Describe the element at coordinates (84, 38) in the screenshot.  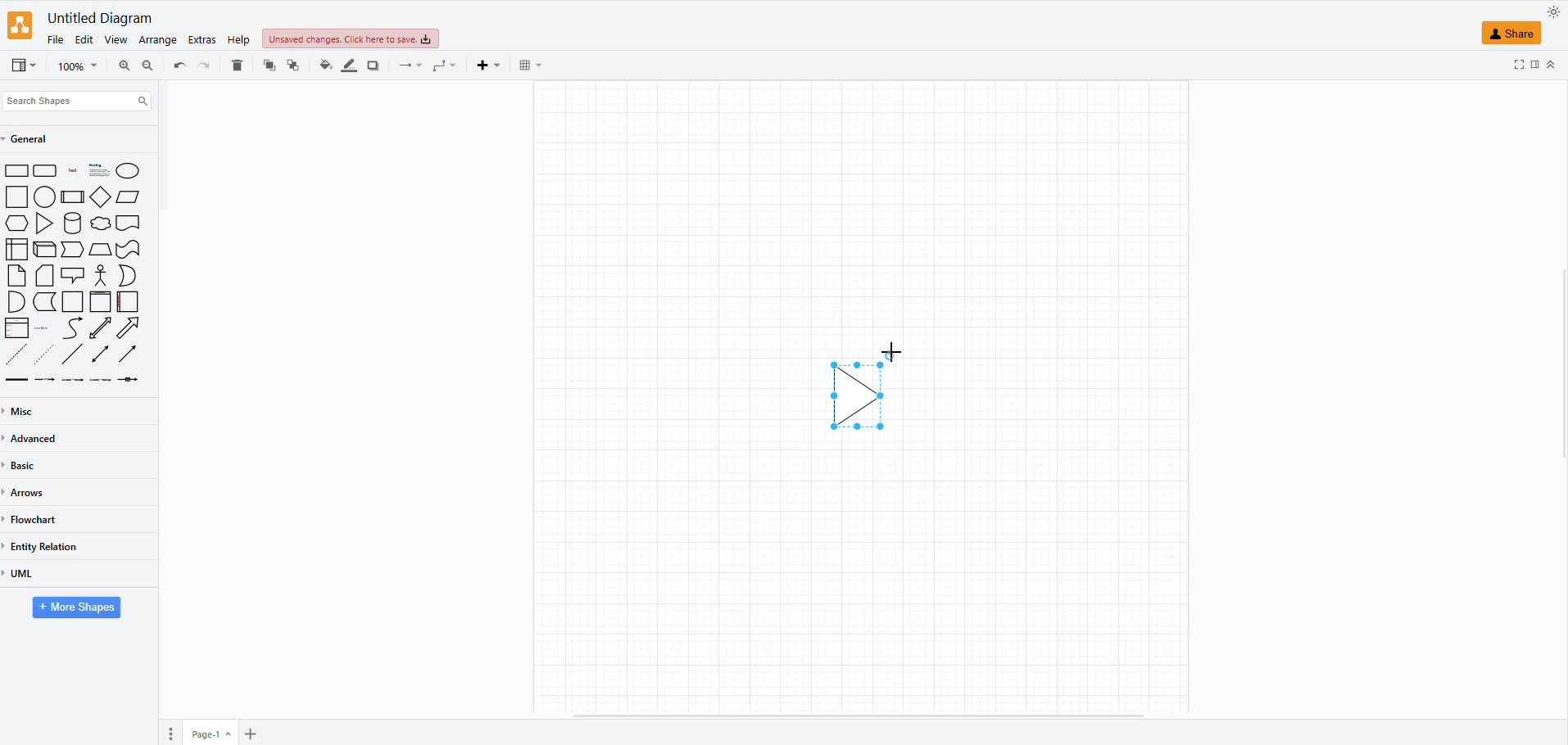
I see `edit` at that location.